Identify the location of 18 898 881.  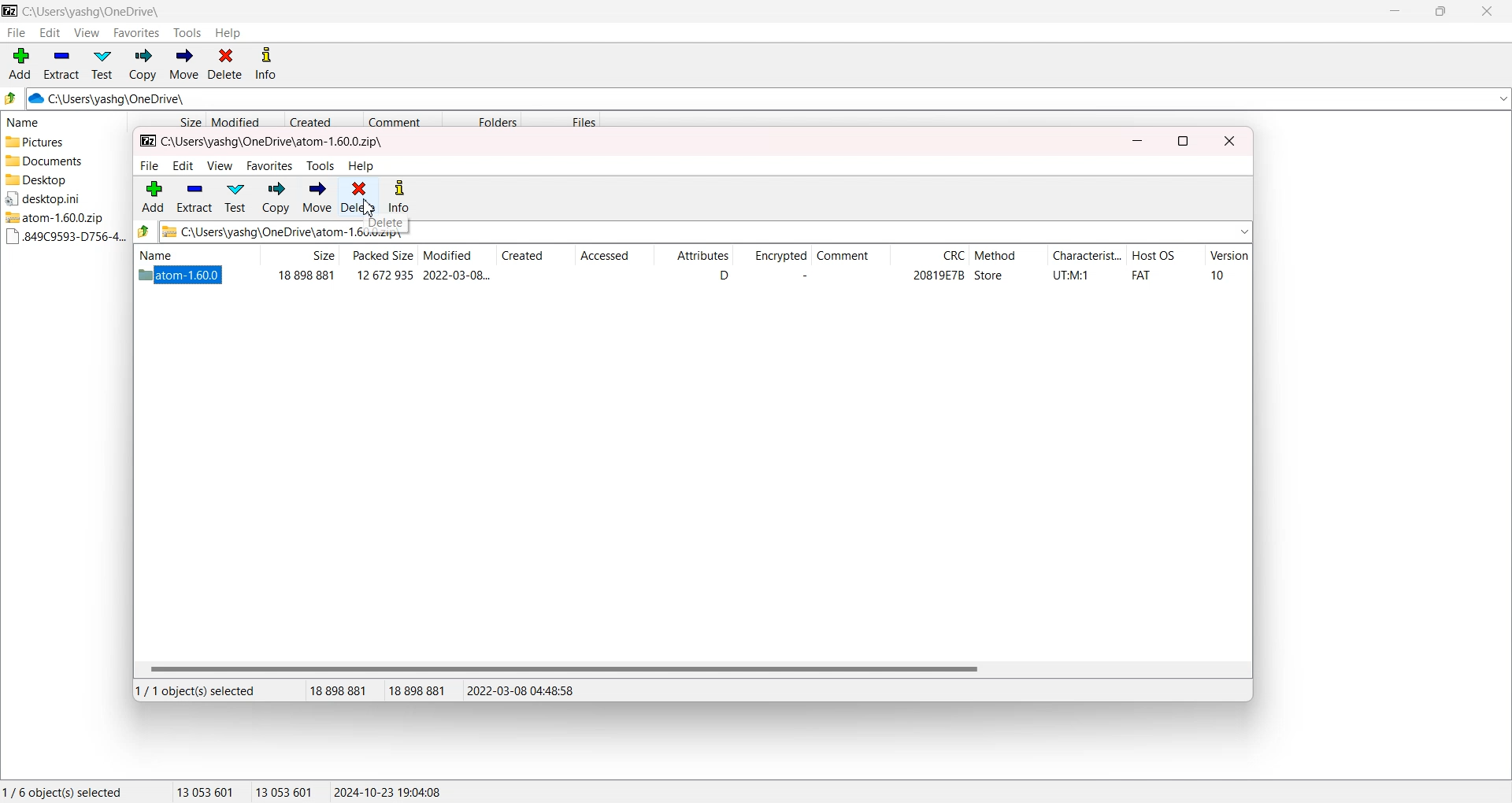
(306, 276).